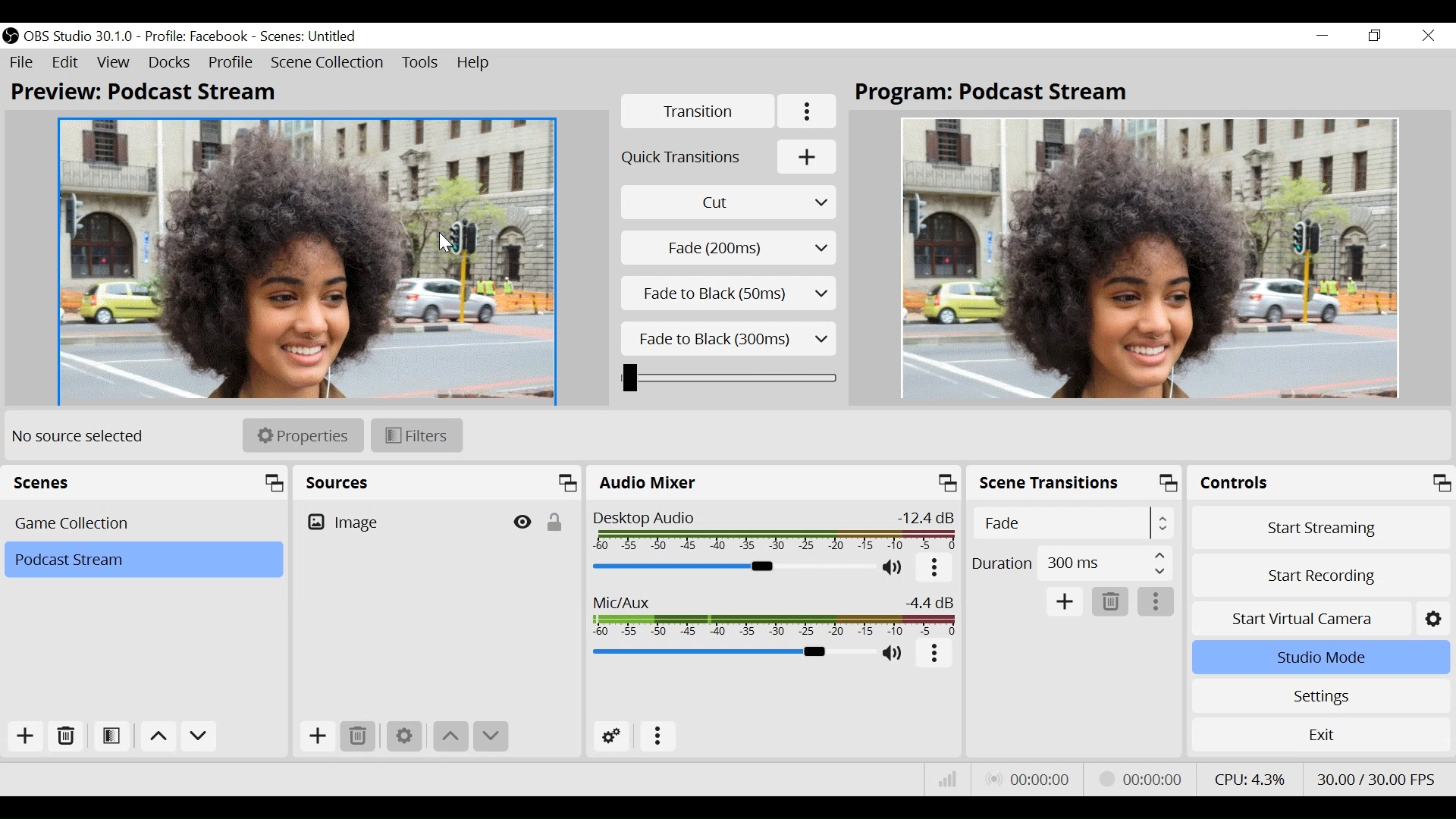  What do you see at coordinates (199, 36) in the screenshot?
I see `Profile` at bounding box center [199, 36].